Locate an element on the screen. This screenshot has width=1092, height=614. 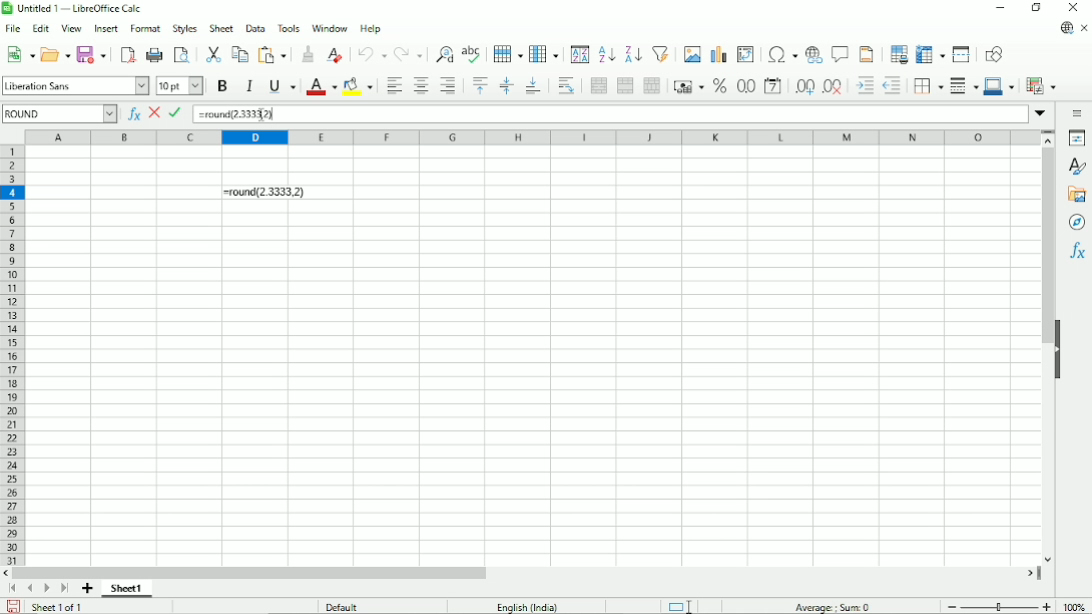
Function wizard is located at coordinates (132, 113).